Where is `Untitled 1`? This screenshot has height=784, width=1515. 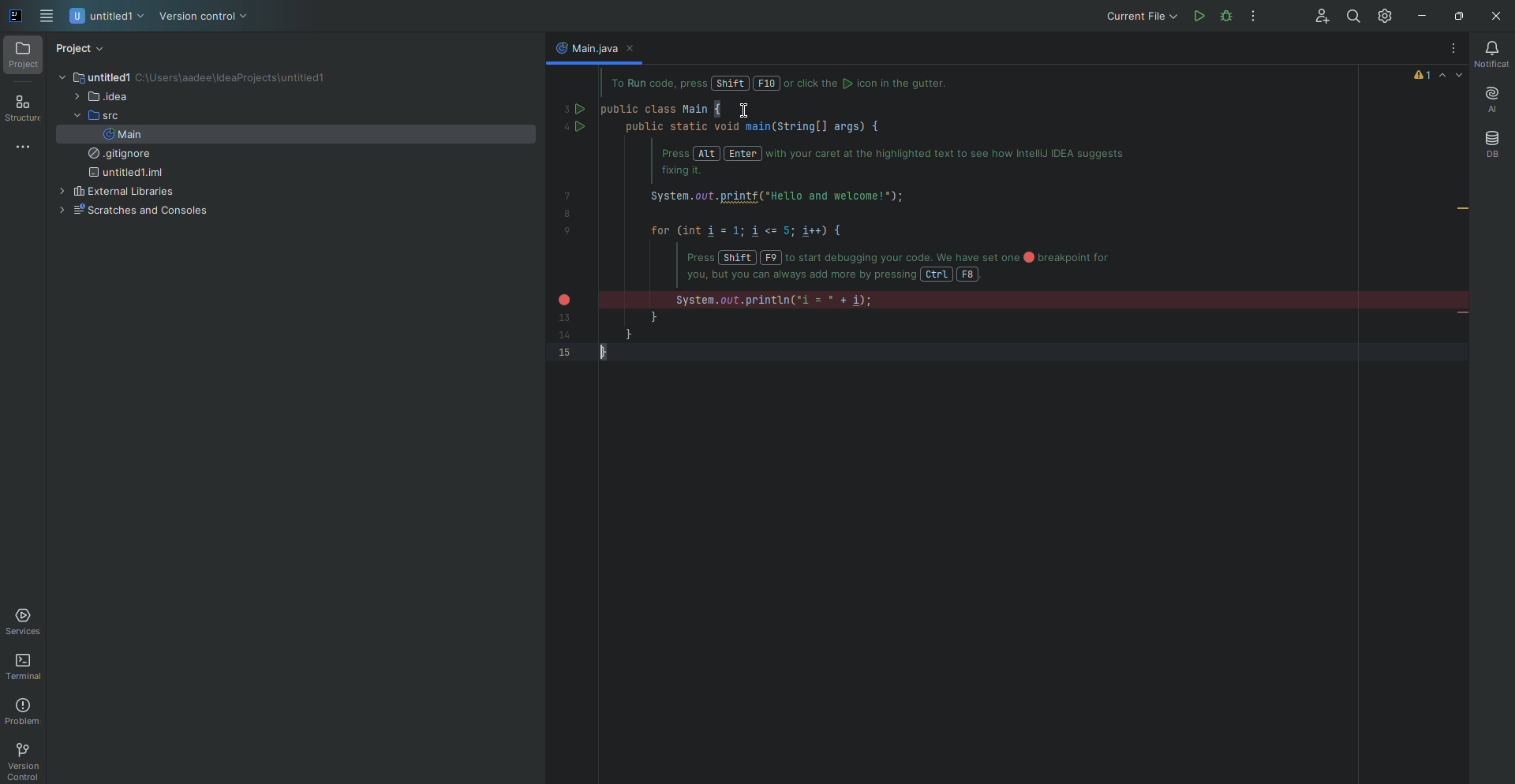 Untitled 1 is located at coordinates (93, 77).